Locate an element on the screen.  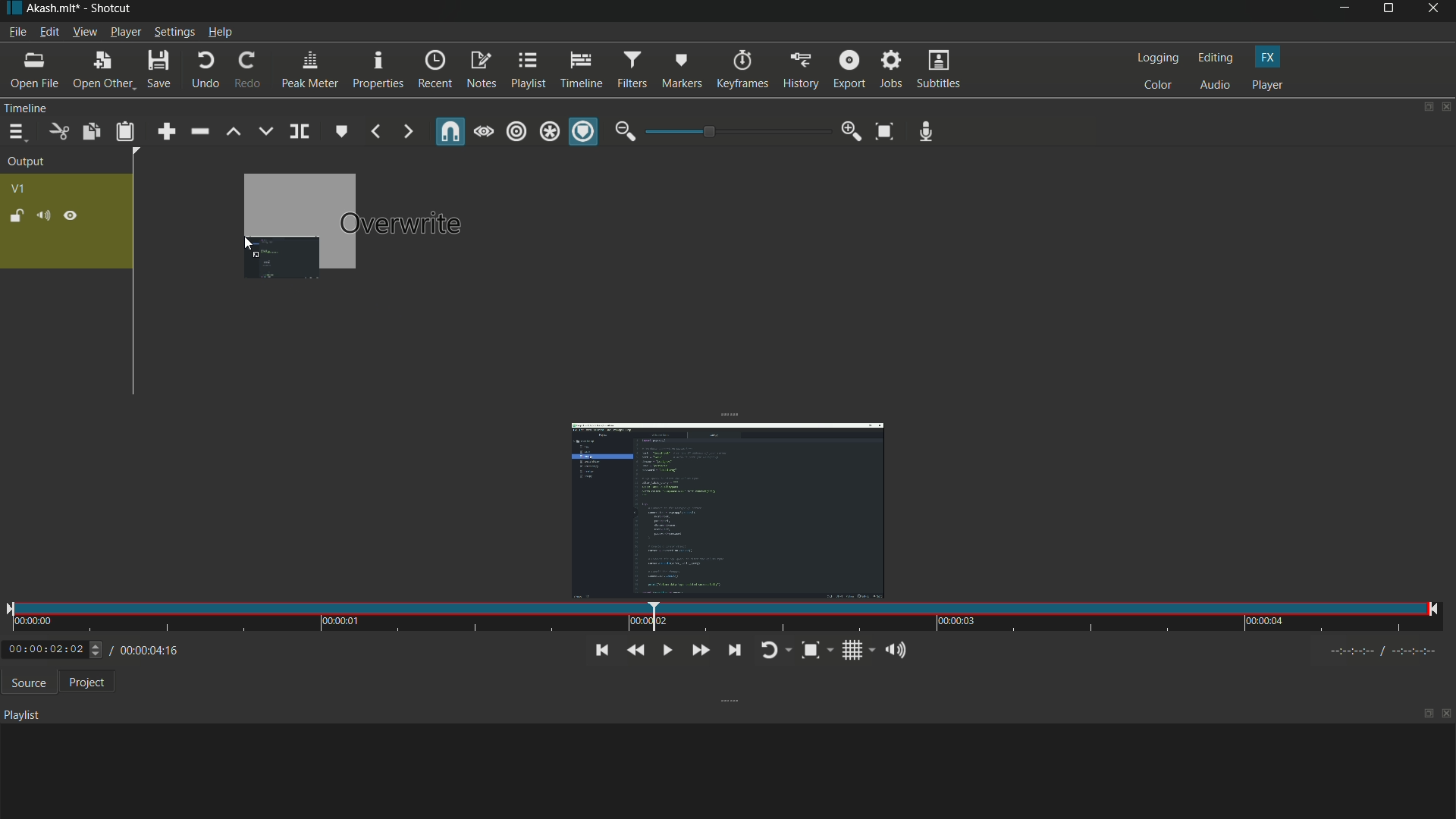
append is located at coordinates (168, 131).